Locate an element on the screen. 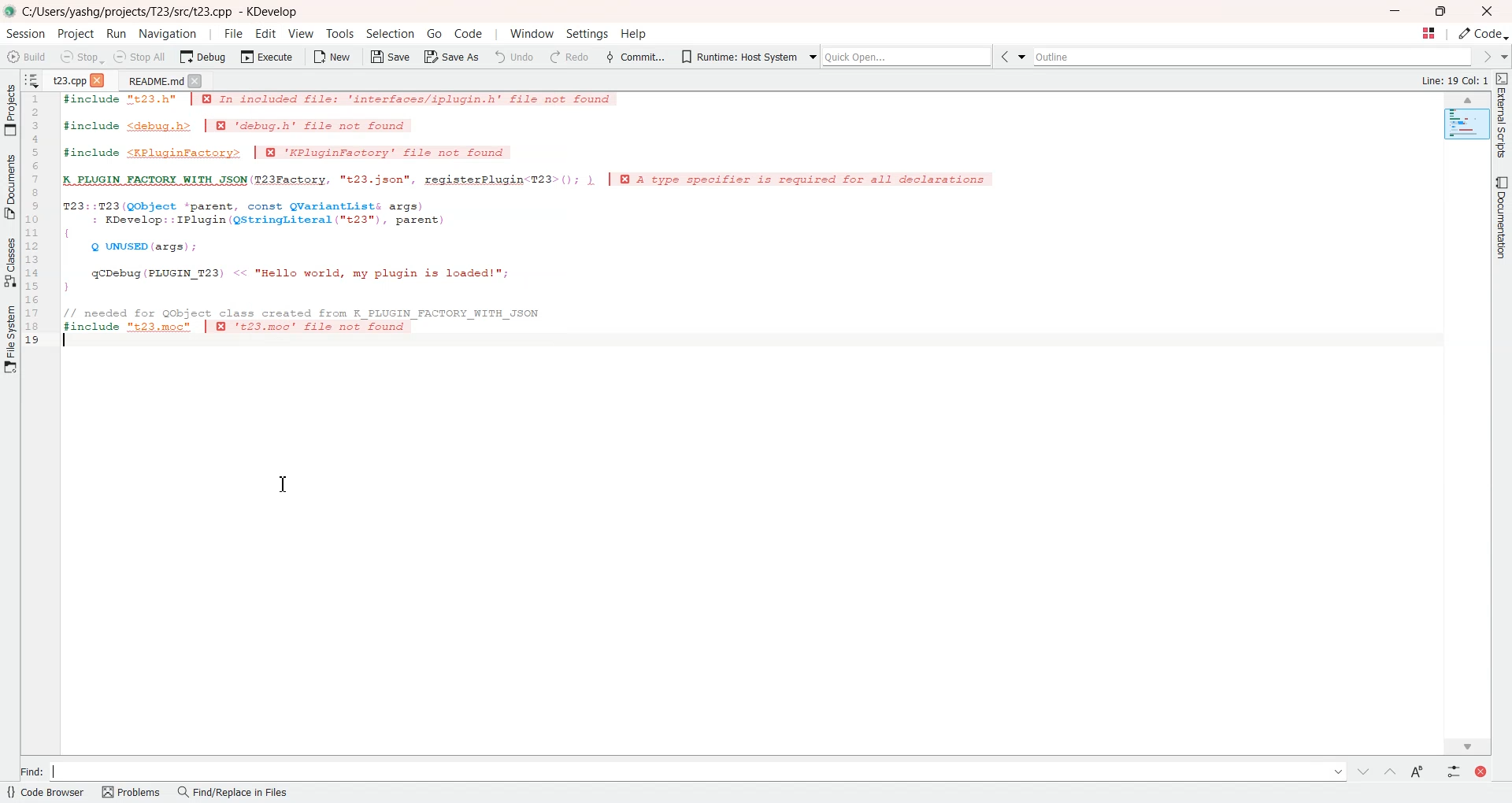  Show open sorted list is located at coordinates (32, 79).